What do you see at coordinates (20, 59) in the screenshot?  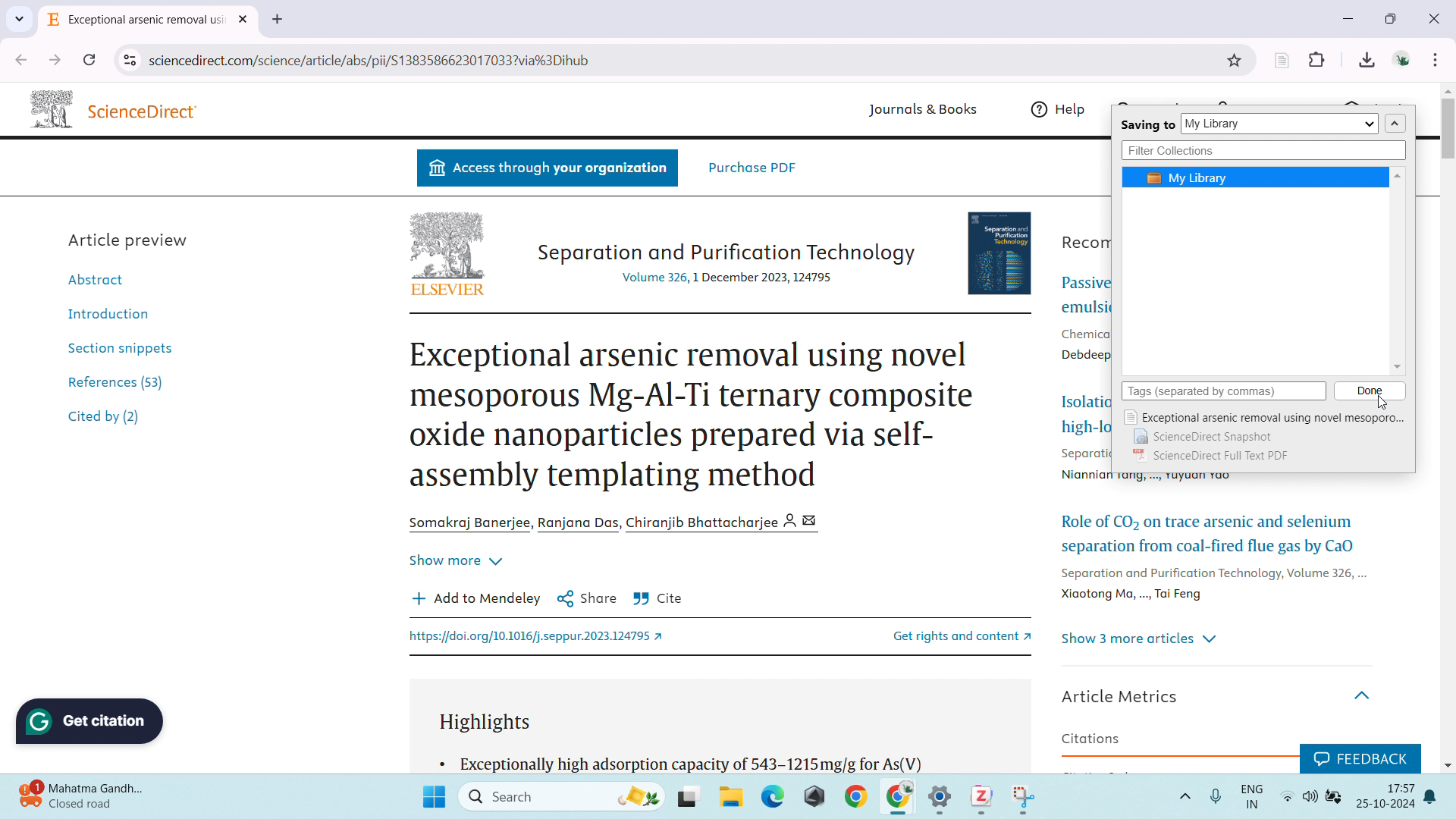 I see `click to go back, hold to see history` at bounding box center [20, 59].